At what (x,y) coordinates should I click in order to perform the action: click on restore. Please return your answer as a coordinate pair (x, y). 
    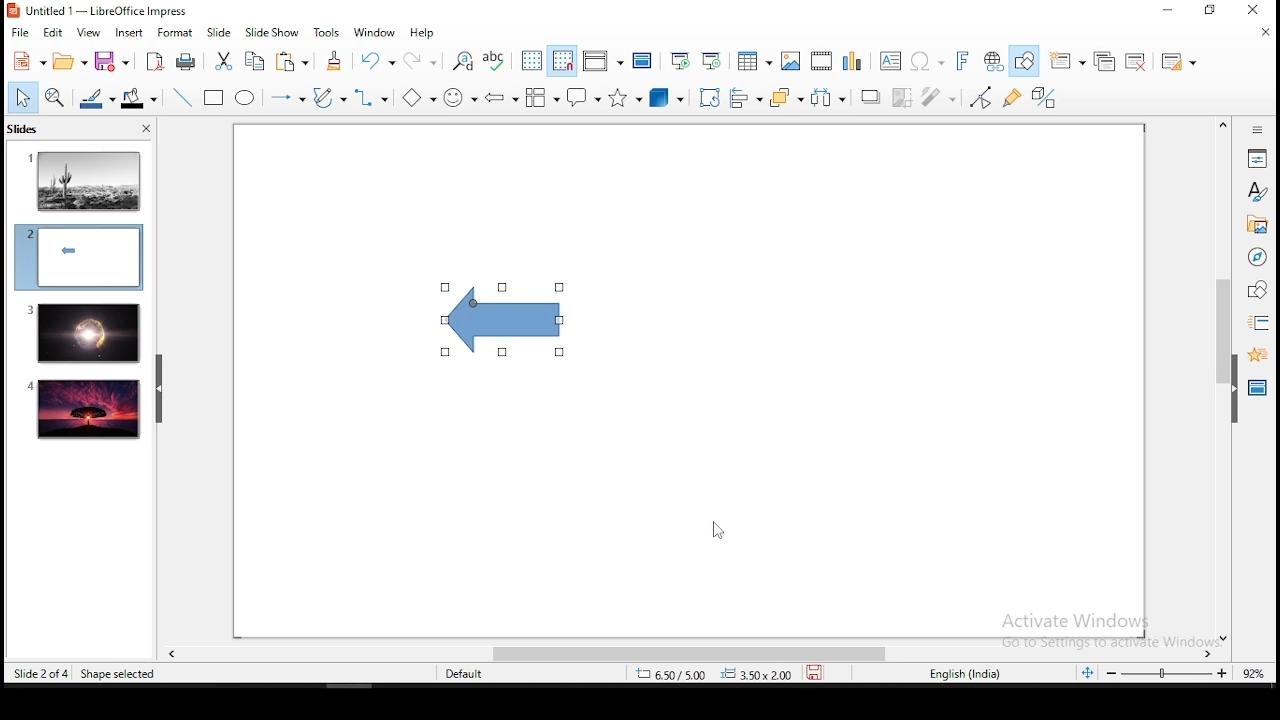
    Looking at the image, I should click on (1211, 11).